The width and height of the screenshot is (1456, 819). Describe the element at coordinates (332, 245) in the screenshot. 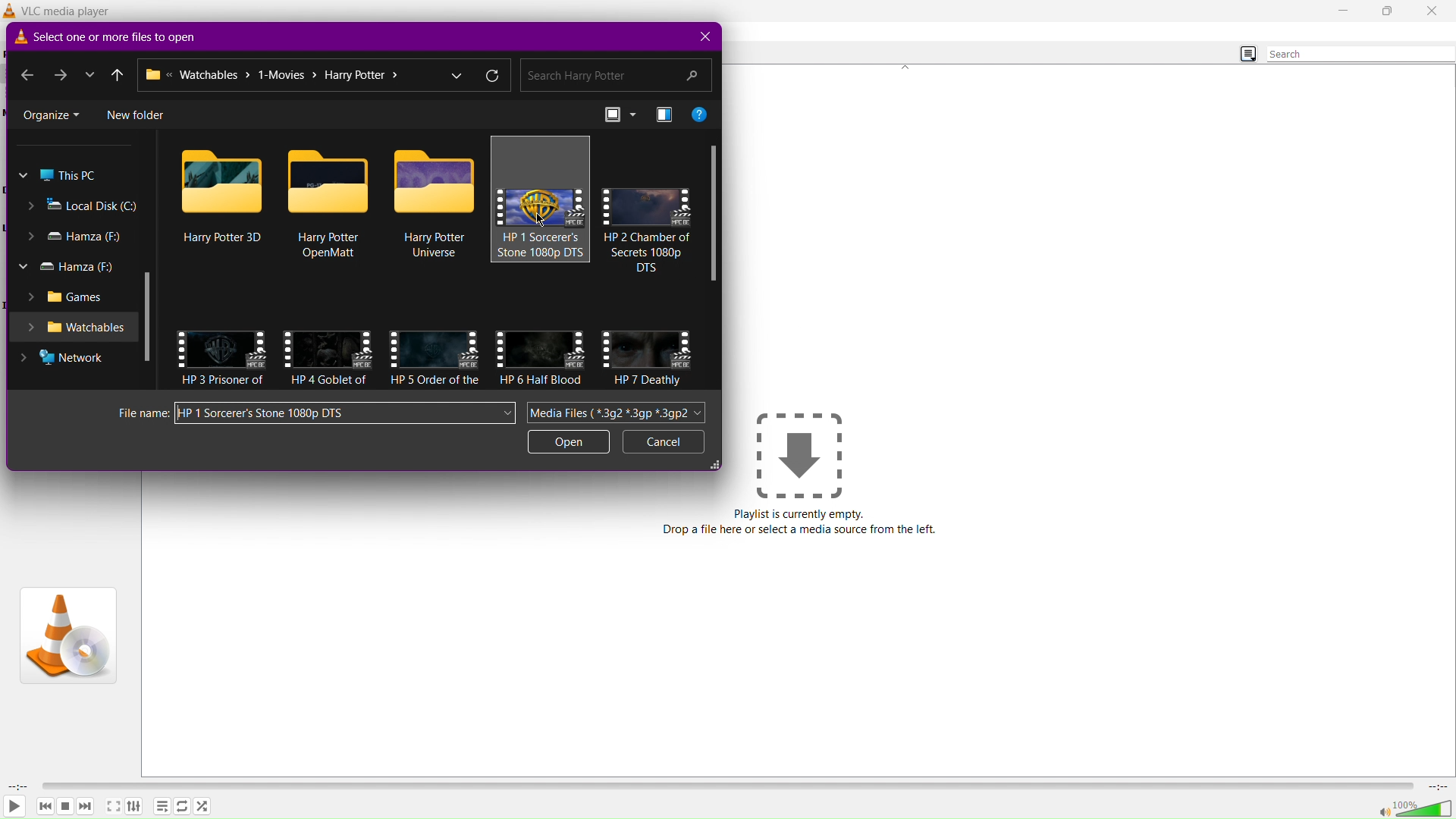

I see `harry potter ` at that location.